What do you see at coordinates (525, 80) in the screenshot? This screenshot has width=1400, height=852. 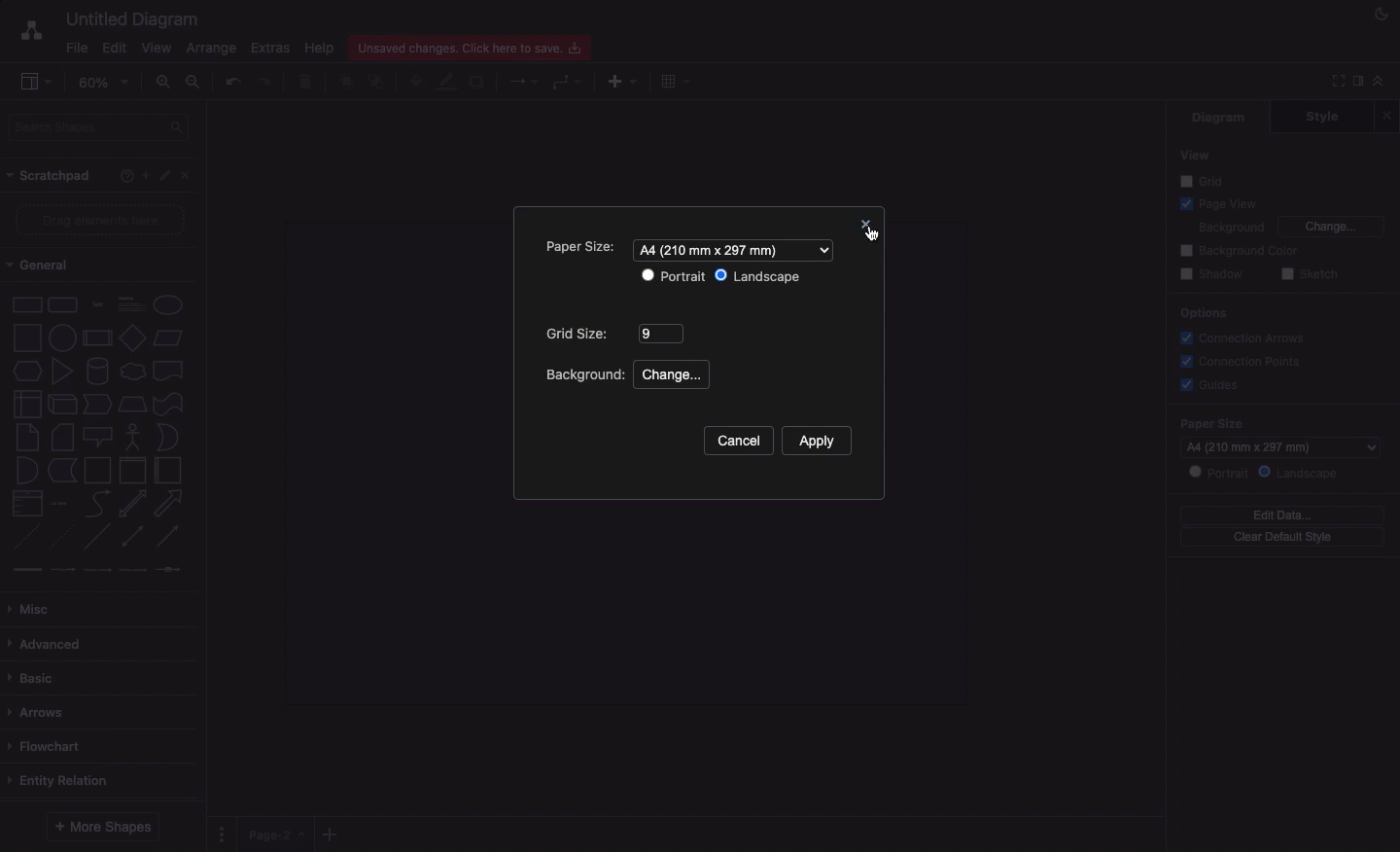 I see `Arrows` at bounding box center [525, 80].